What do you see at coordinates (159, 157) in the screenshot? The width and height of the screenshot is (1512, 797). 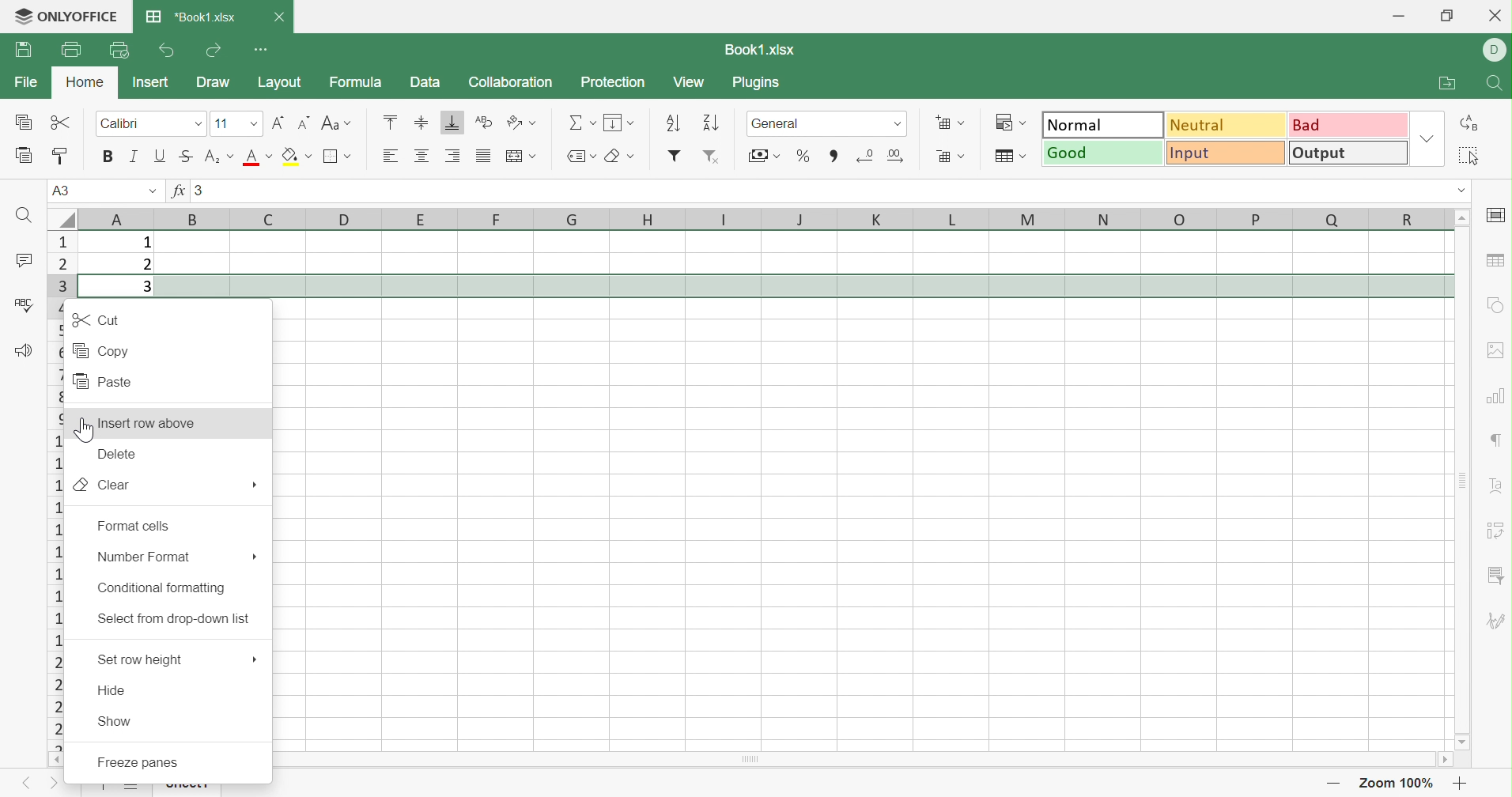 I see `Underline` at bounding box center [159, 157].